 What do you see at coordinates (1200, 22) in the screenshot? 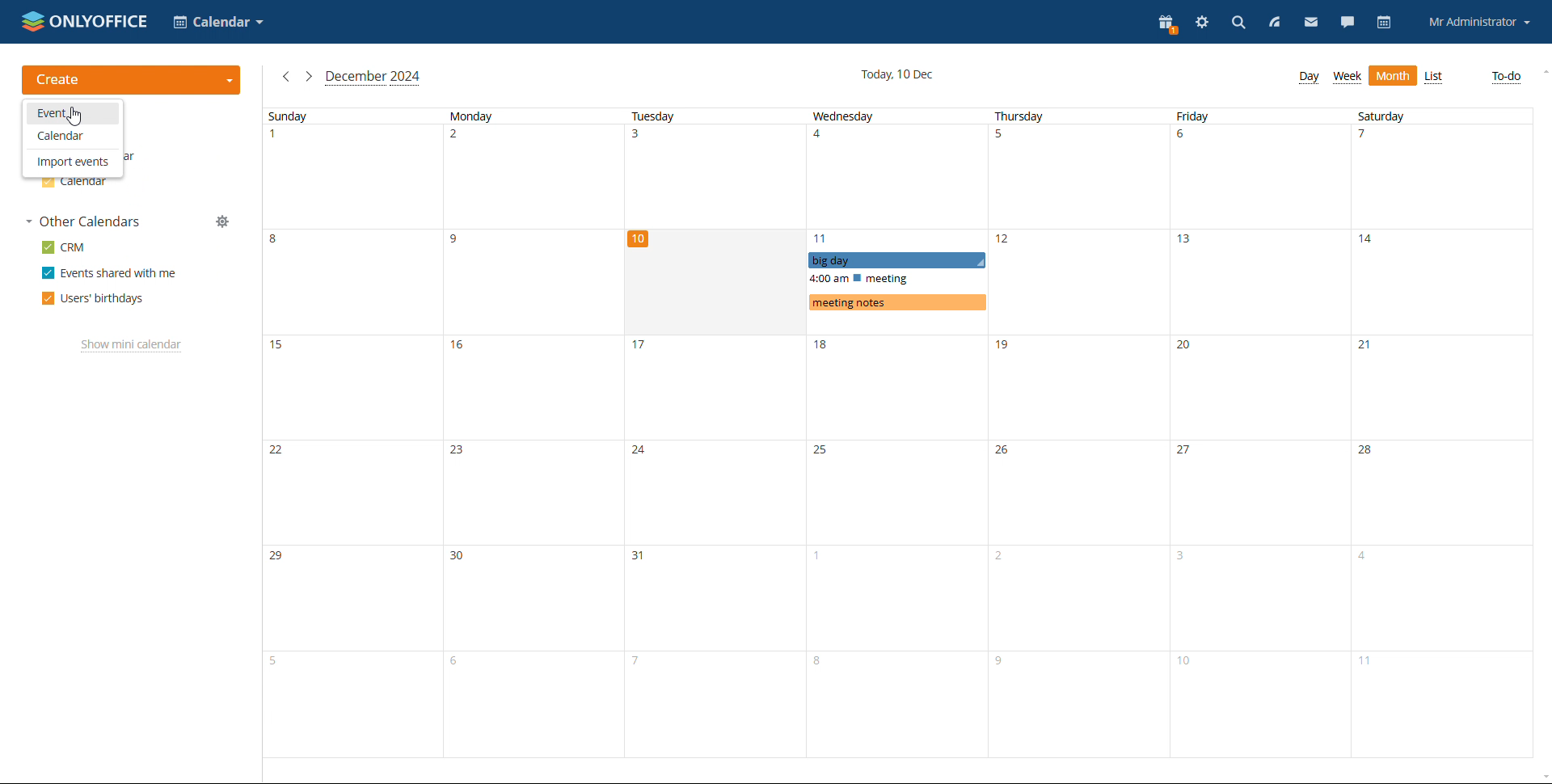
I see `settings` at bounding box center [1200, 22].